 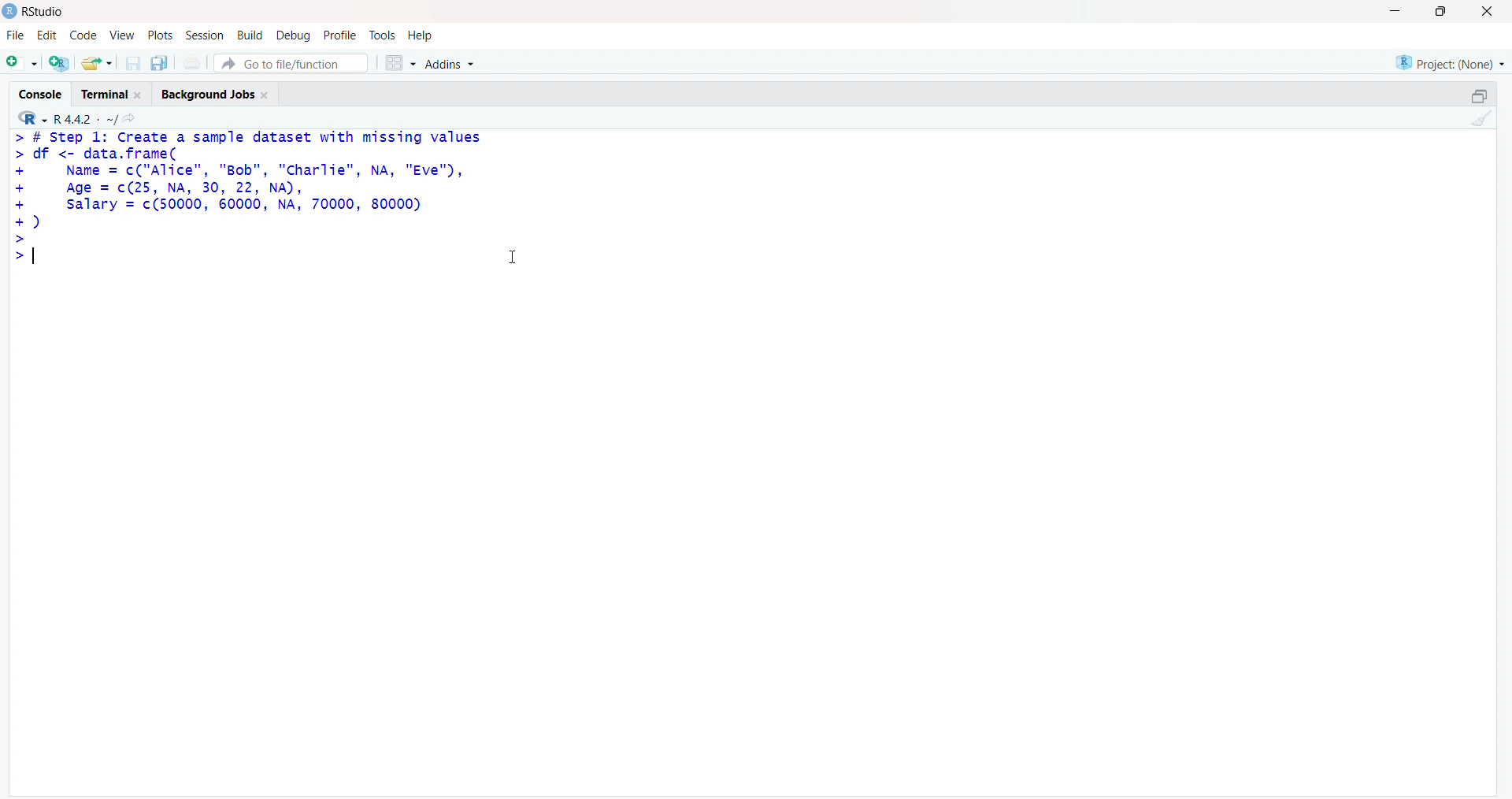 I want to click on Console, so click(x=39, y=92).